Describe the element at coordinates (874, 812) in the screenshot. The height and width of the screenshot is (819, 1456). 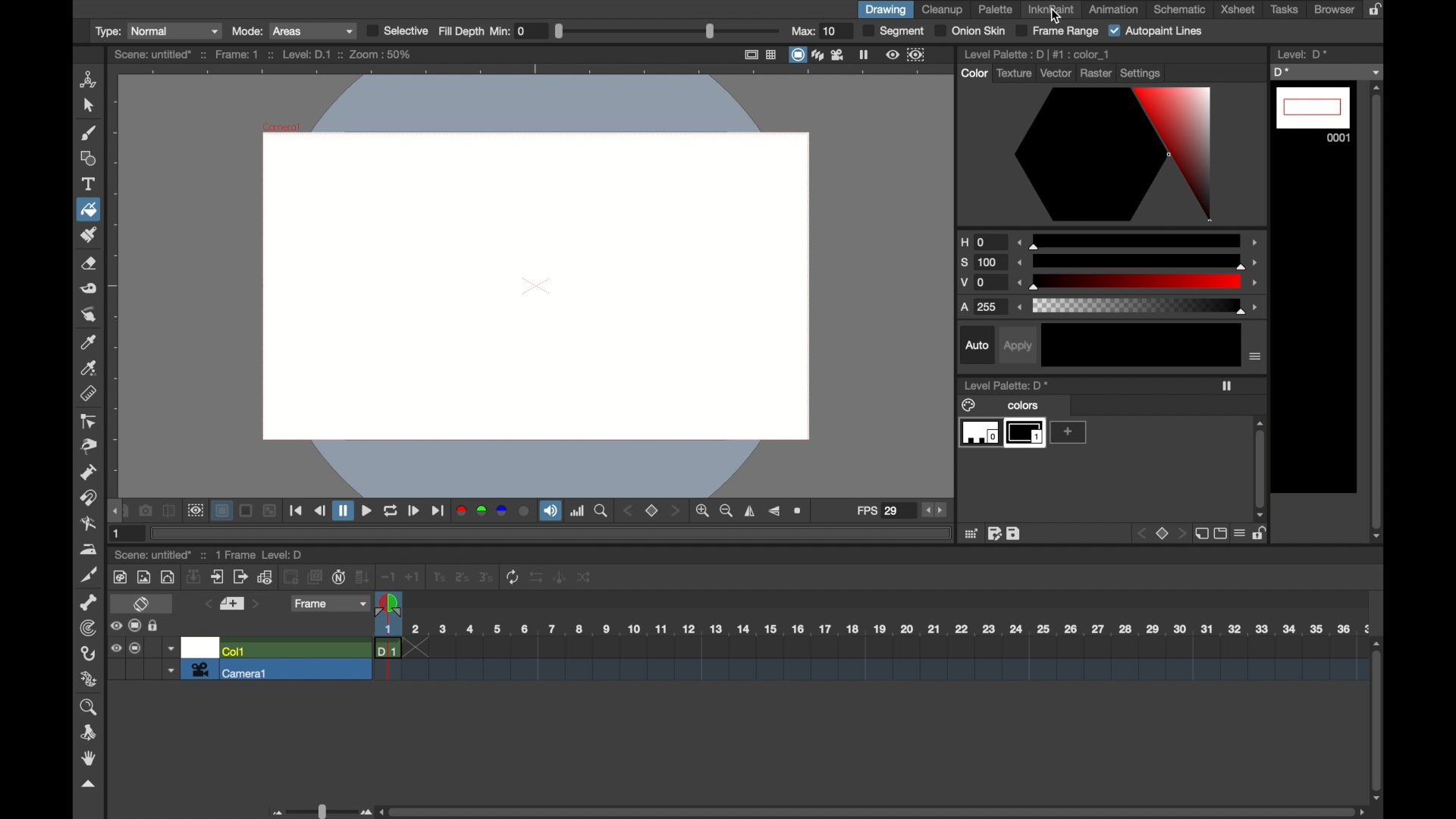
I see `scroll box` at that location.